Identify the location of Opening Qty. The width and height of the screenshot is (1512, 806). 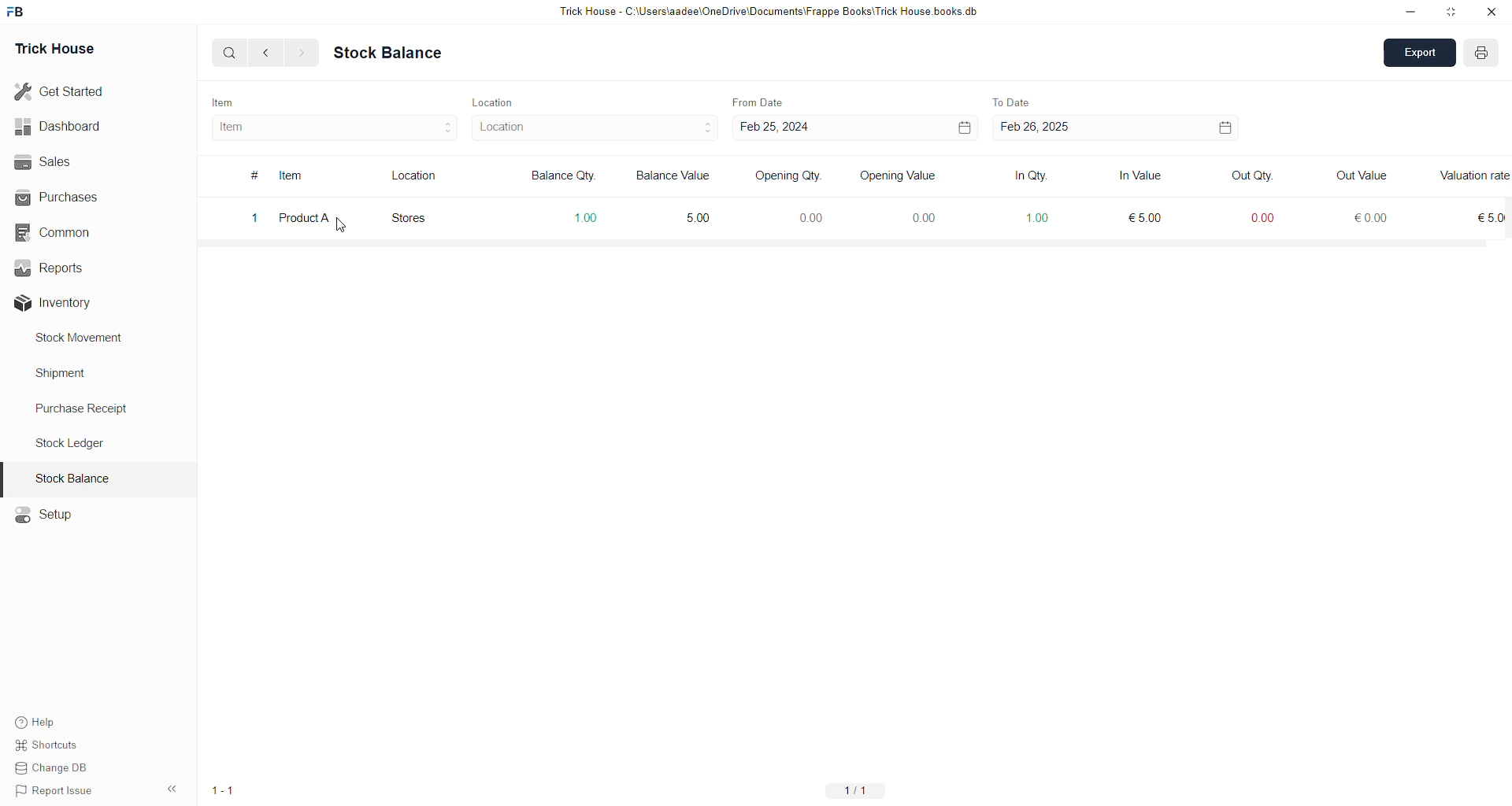
(777, 177).